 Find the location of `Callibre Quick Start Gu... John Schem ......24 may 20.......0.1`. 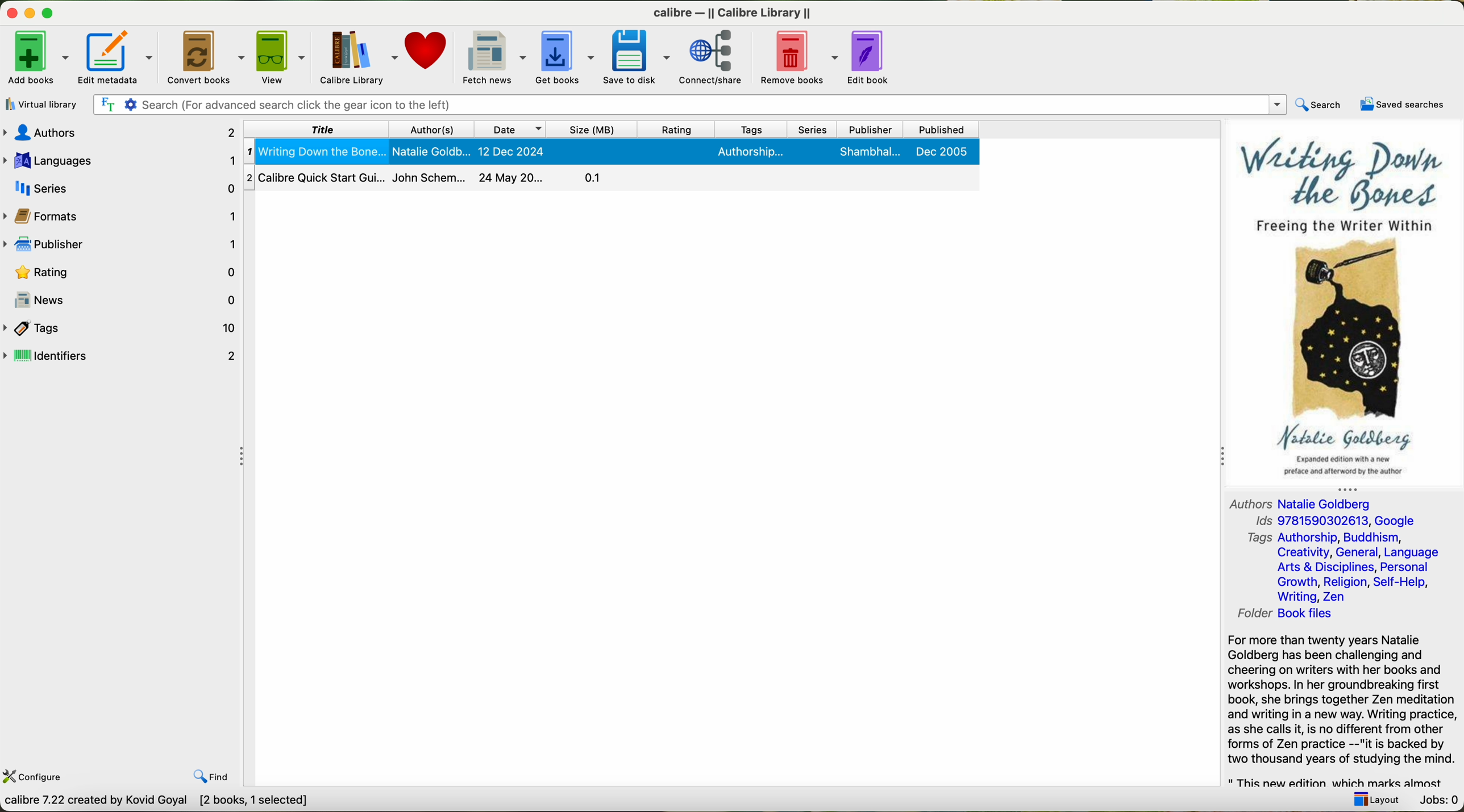

Callibre Quick Start Gu... John Schem ......24 may 20.......0.1 is located at coordinates (610, 180).